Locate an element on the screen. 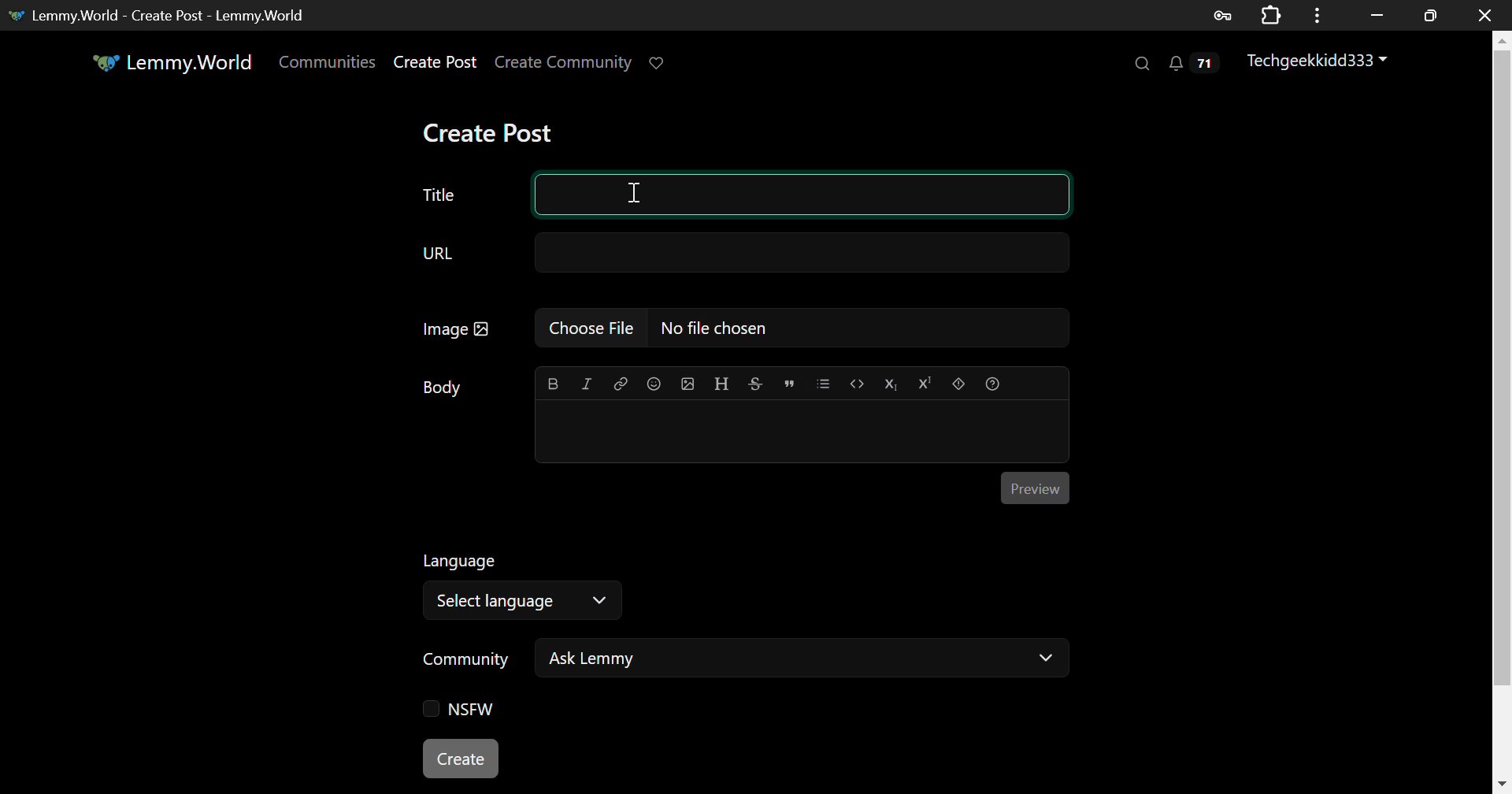 The height and width of the screenshot is (794, 1512). Bold is located at coordinates (553, 384).